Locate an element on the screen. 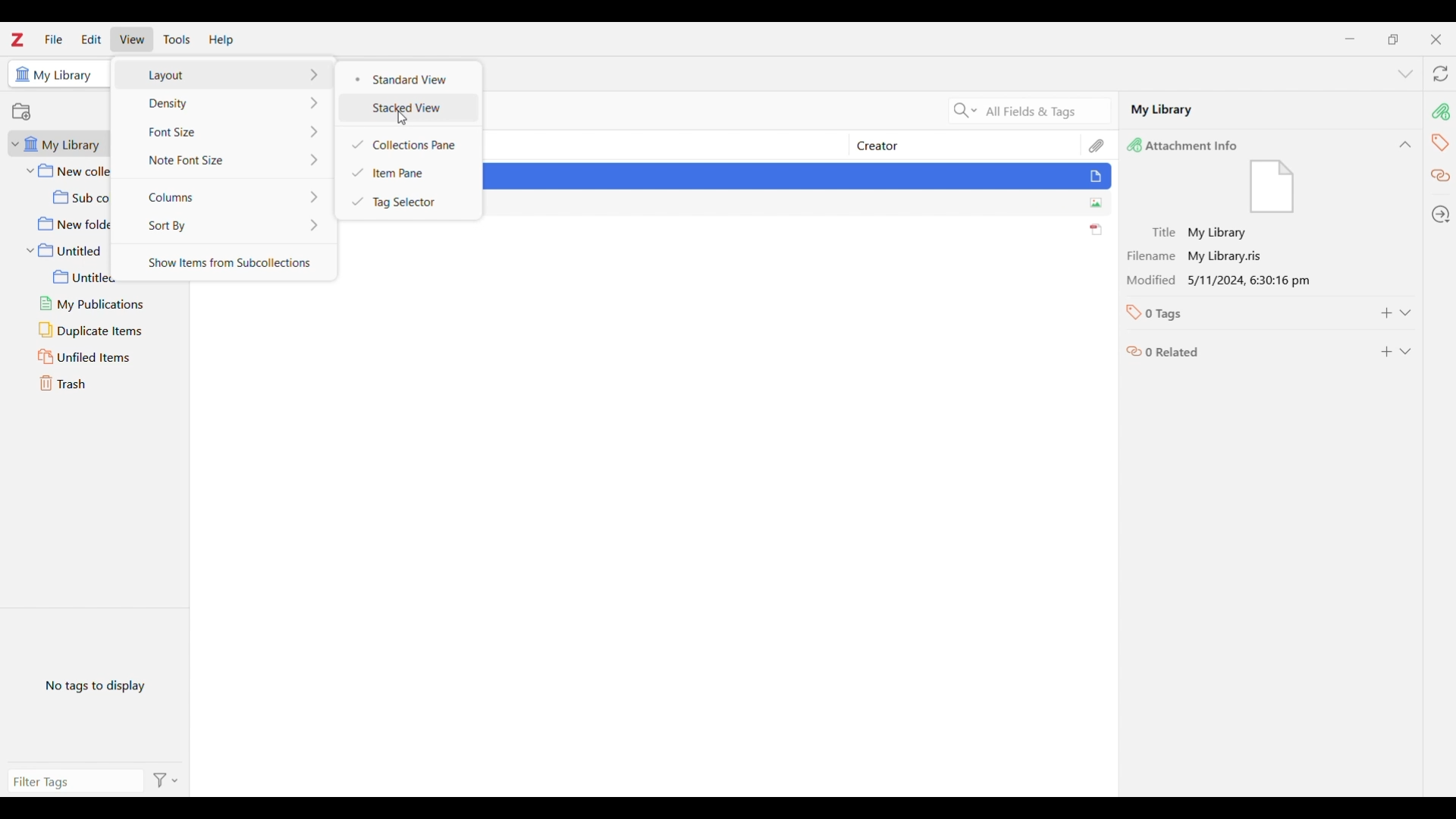 This screenshot has width=1456, height=819. Modification date and time of selected file is located at coordinates (1220, 281).